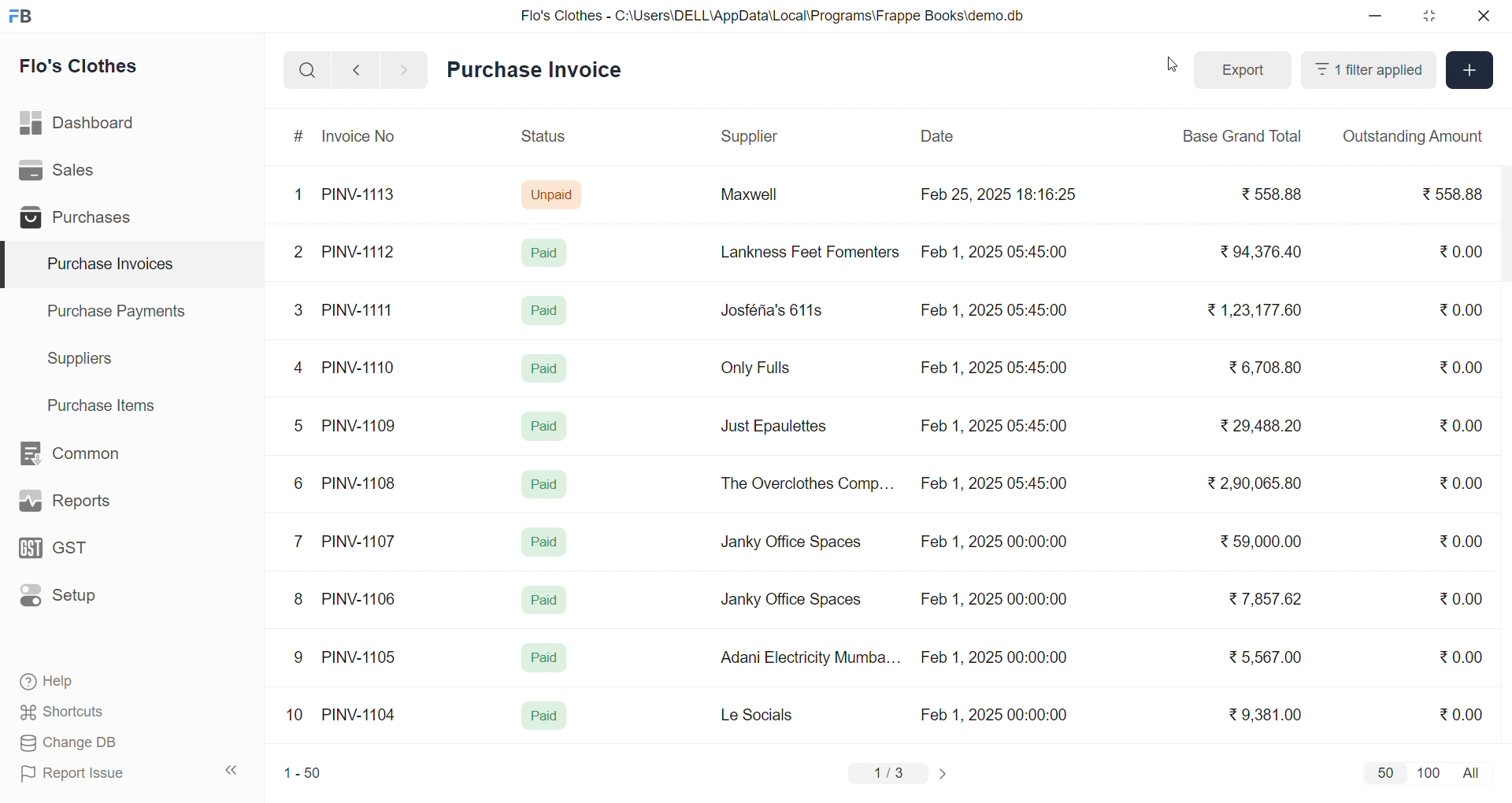 The image size is (1512, 803). What do you see at coordinates (542, 139) in the screenshot?
I see `Status` at bounding box center [542, 139].